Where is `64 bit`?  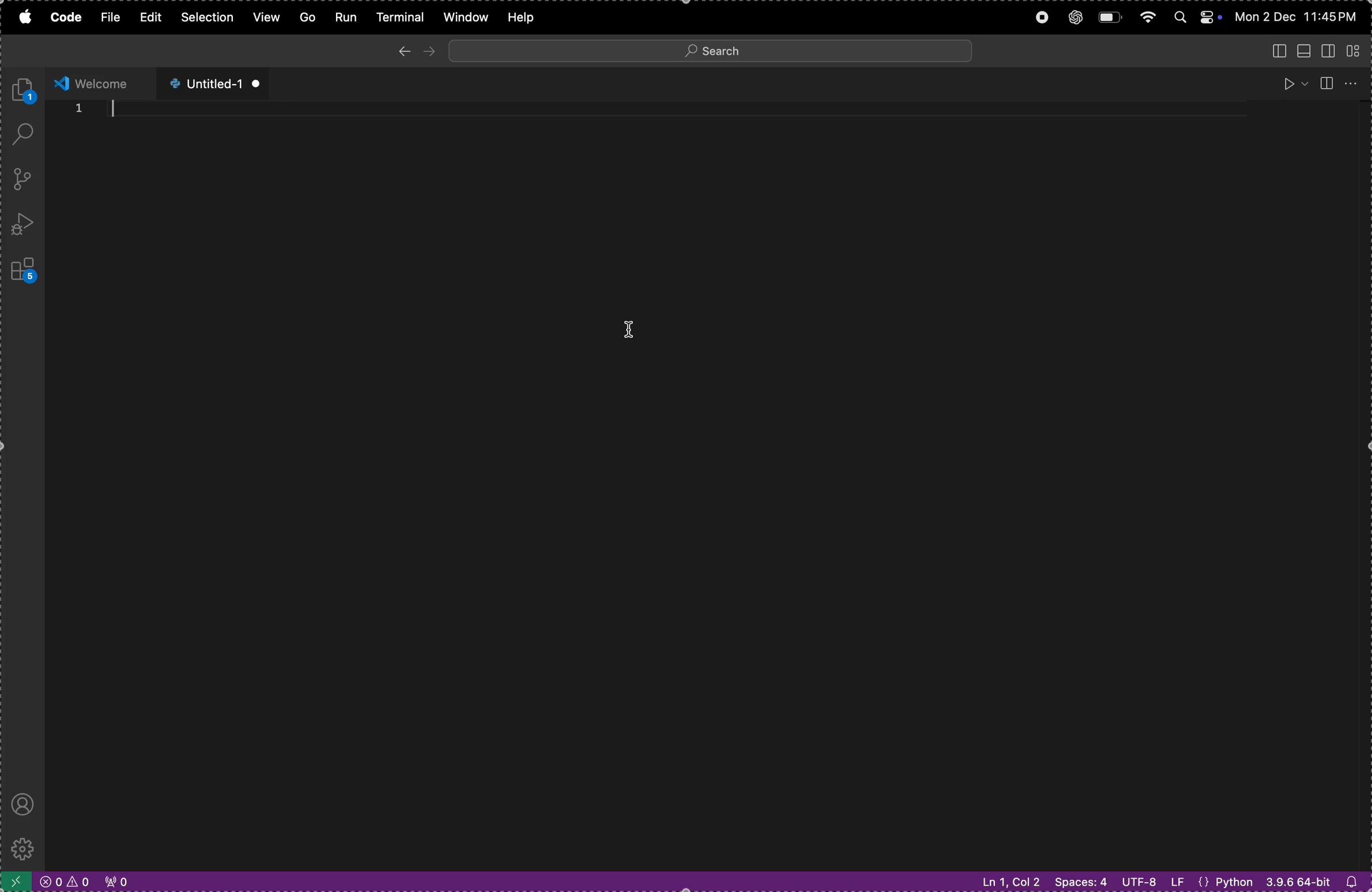
64 bit is located at coordinates (1297, 883).